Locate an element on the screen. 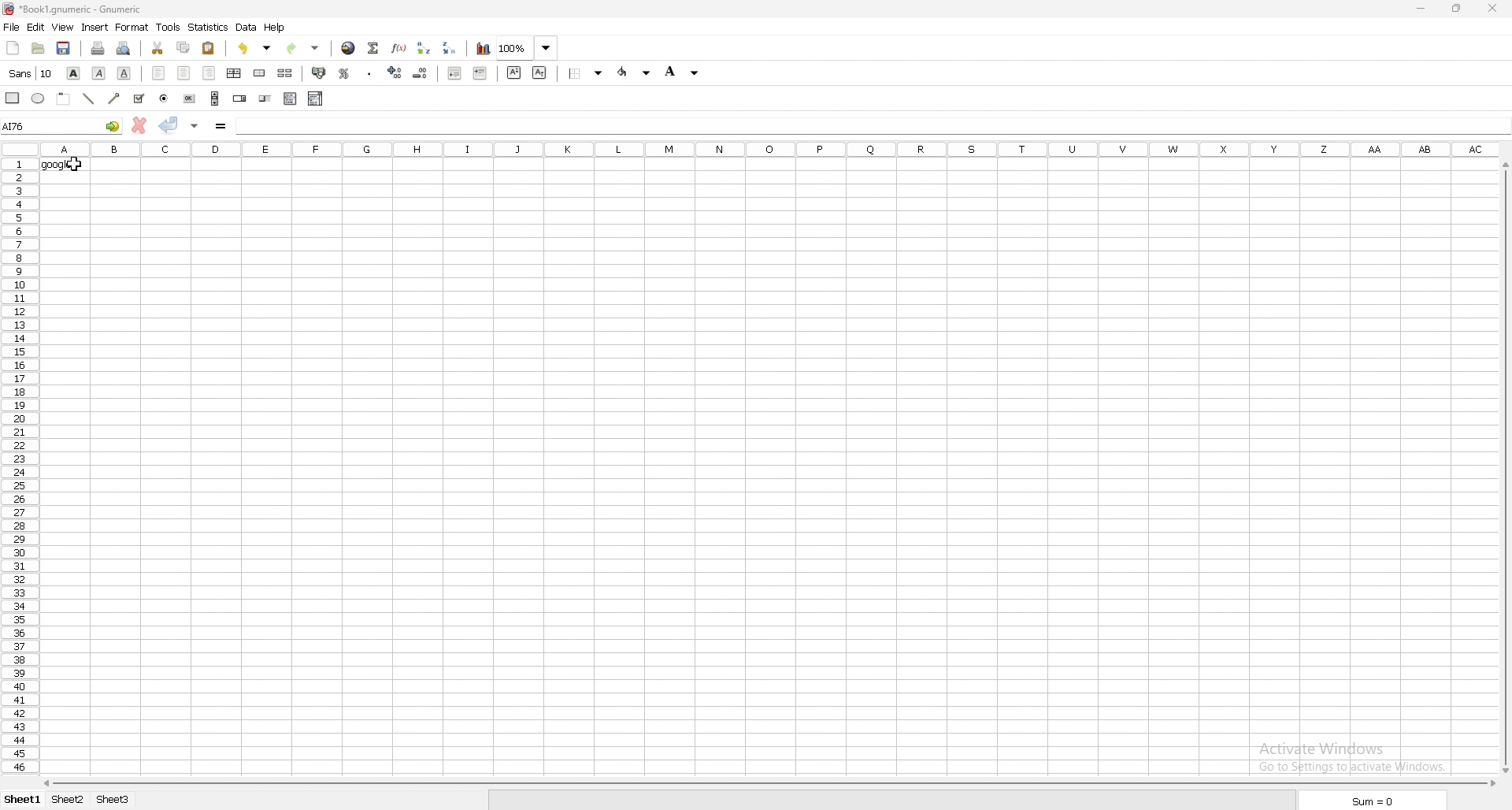 Image resolution: width=1512 pixels, height=810 pixels. paste is located at coordinates (209, 49).